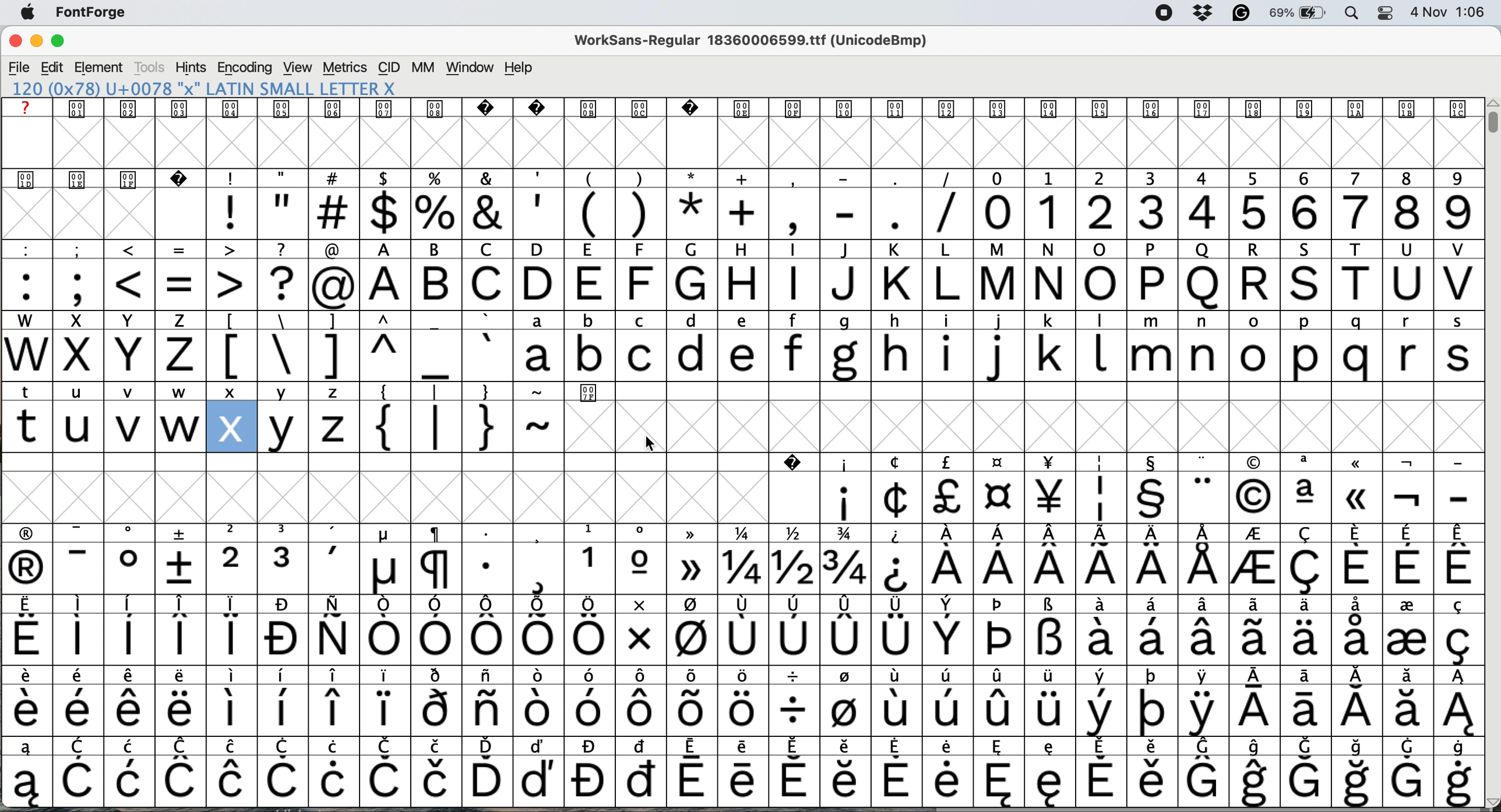  Describe the element at coordinates (1160, 13) in the screenshot. I see `screen recorder` at that location.